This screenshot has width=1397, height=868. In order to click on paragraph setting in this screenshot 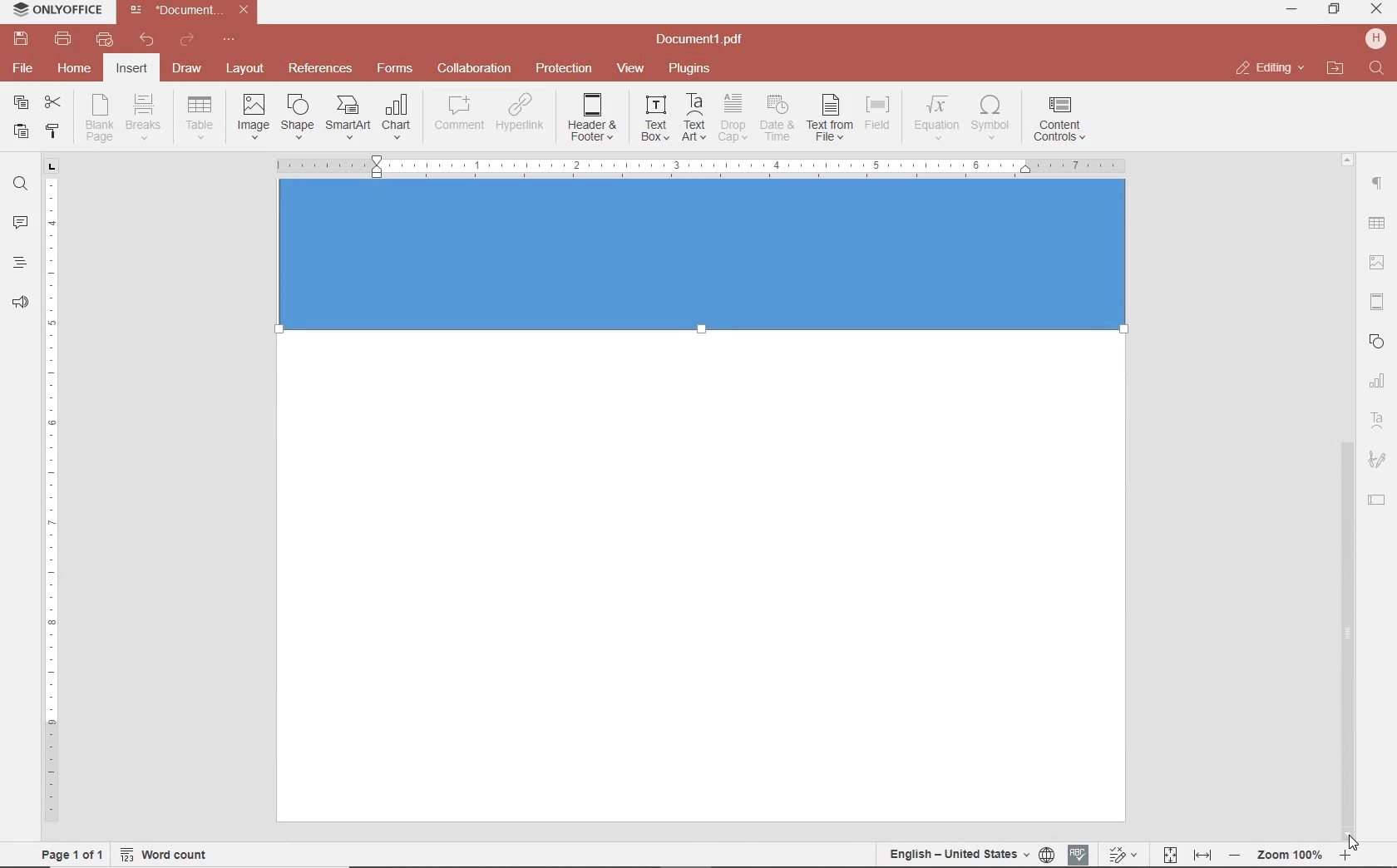, I will do `click(1378, 181)`.